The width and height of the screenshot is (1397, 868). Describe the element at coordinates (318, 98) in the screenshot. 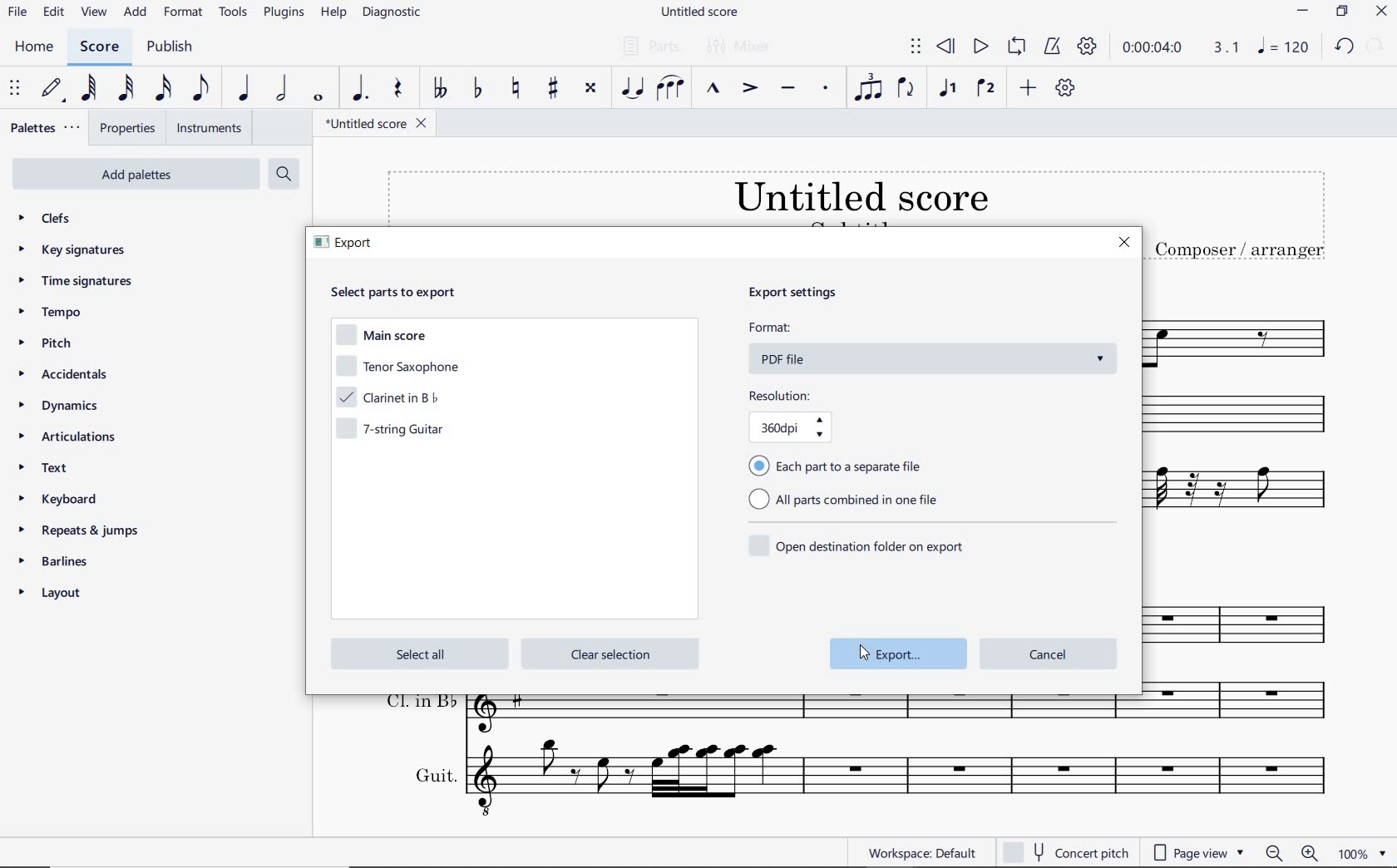

I see `WHOLE NOTE` at that location.